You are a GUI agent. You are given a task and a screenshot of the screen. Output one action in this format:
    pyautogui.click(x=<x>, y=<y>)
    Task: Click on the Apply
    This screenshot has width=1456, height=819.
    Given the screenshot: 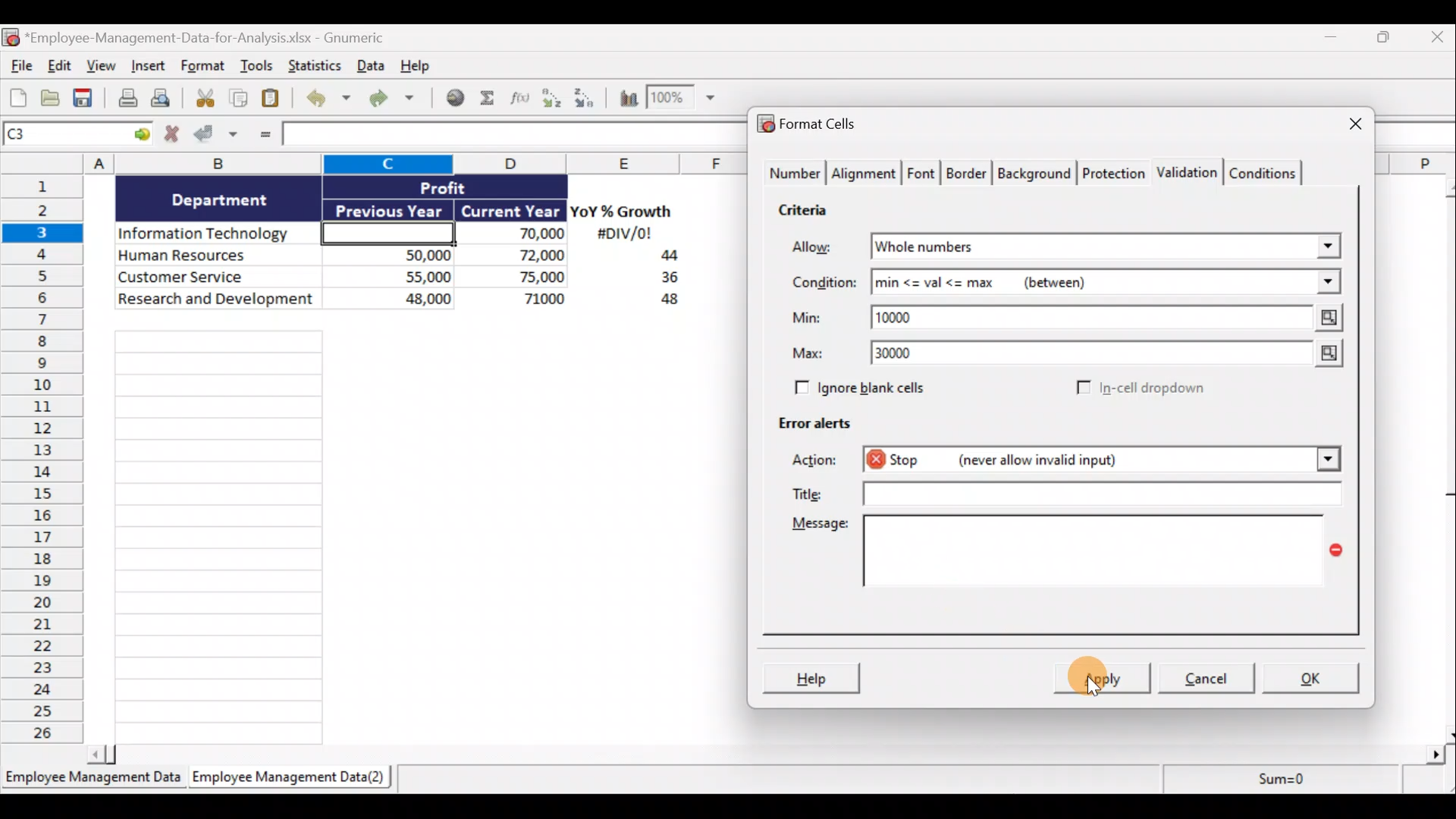 What is the action you would take?
    pyautogui.click(x=1103, y=679)
    